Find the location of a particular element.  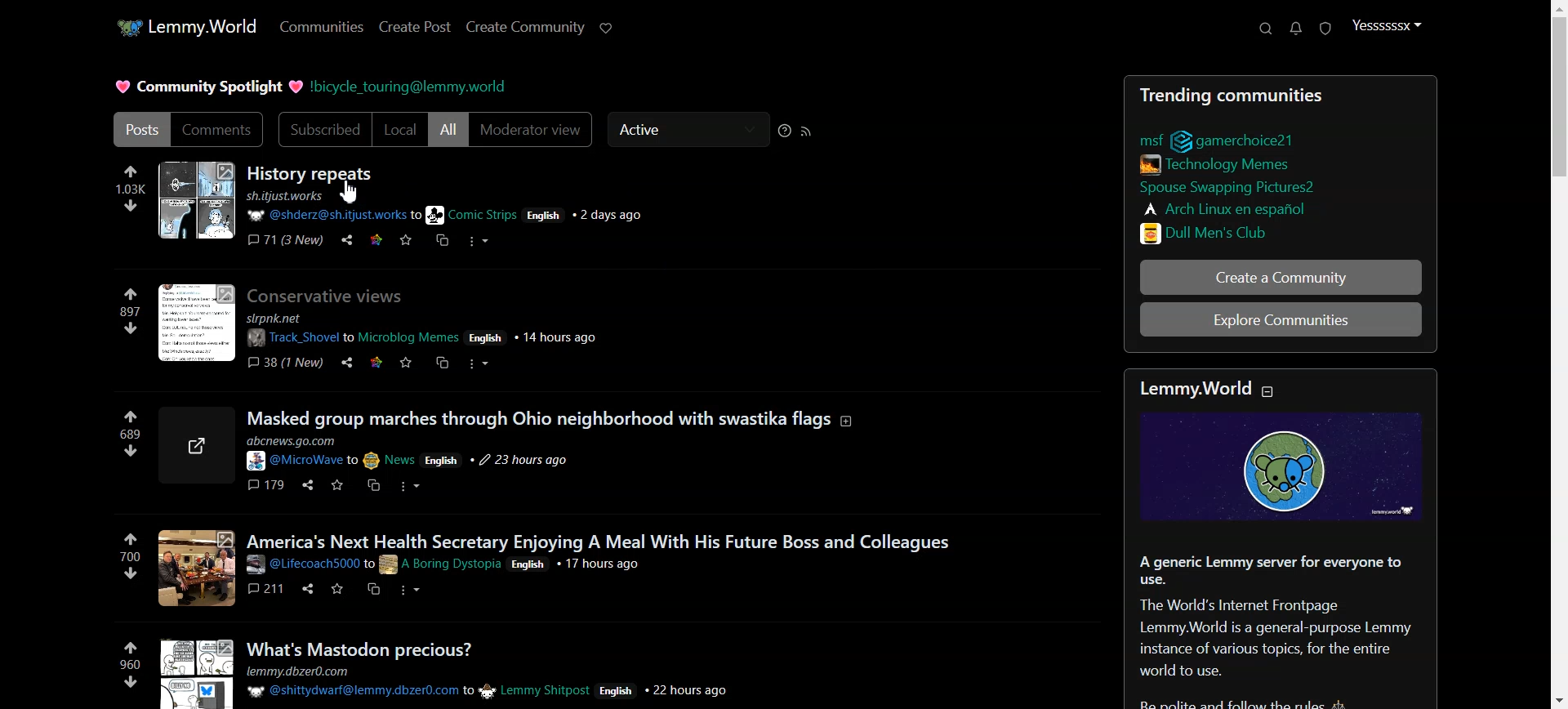

Unread Report is located at coordinates (1326, 29).